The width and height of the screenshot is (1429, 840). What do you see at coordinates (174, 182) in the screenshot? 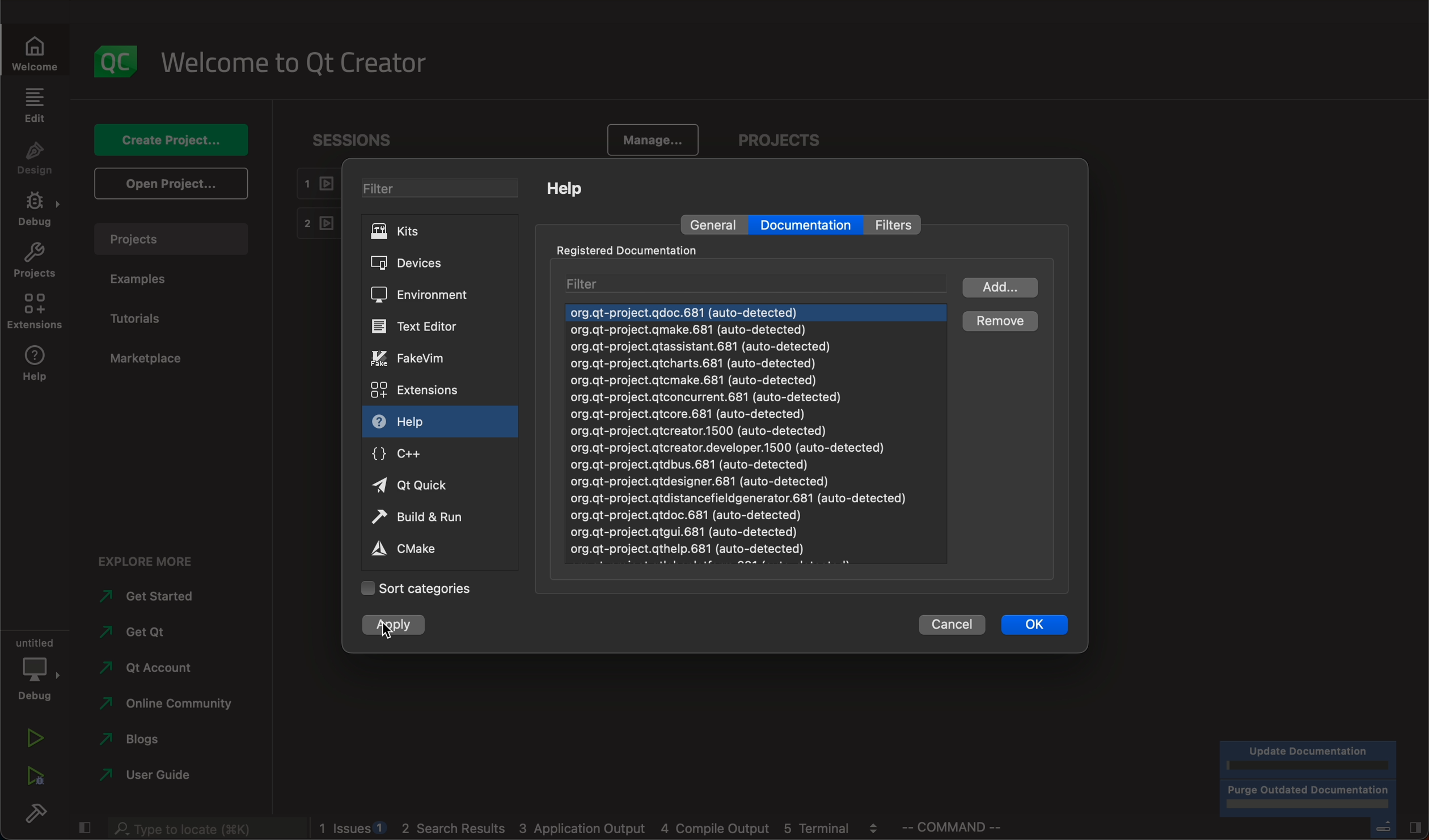
I see `open` at bounding box center [174, 182].